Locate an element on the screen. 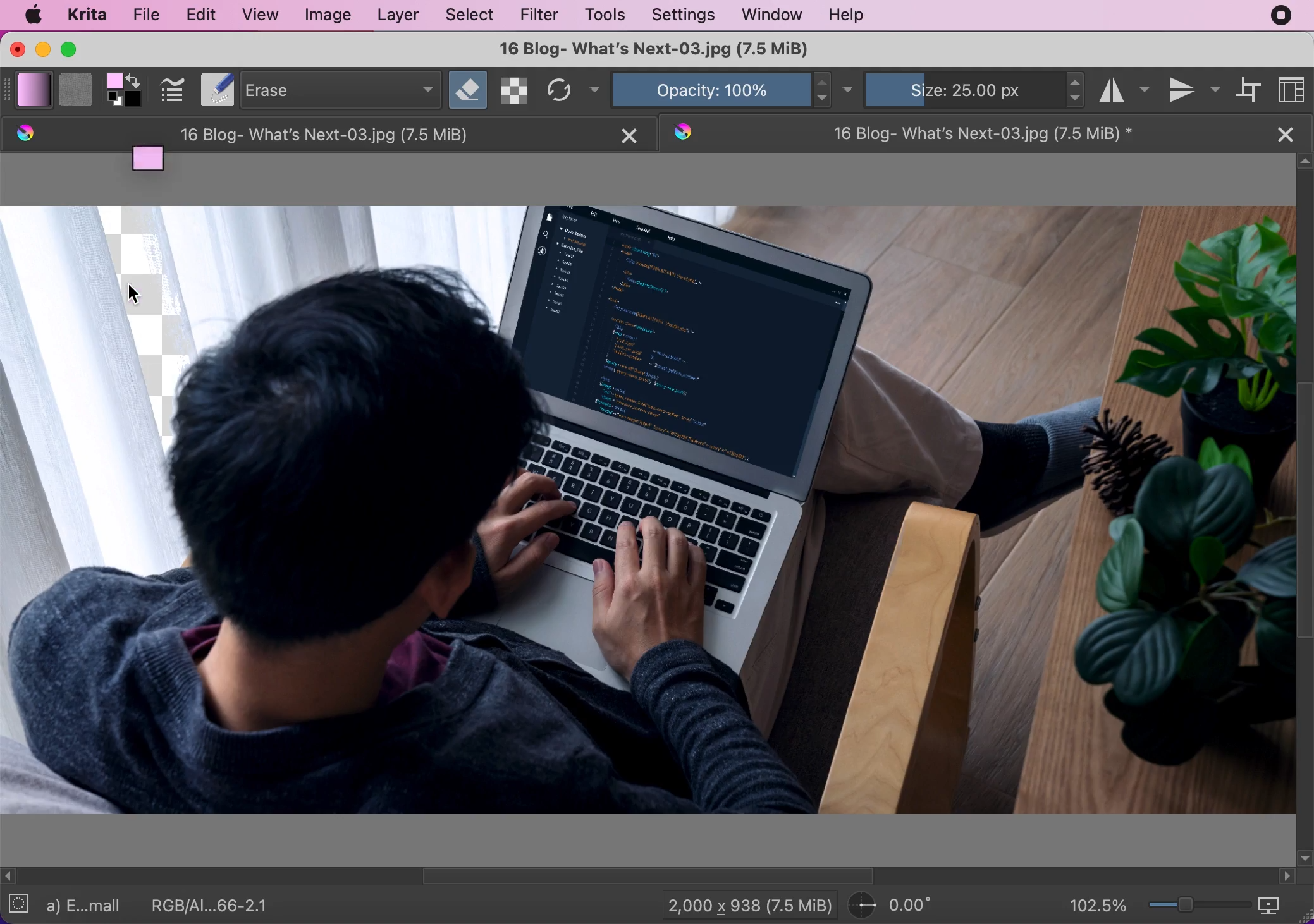  no selection is located at coordinates (20, 903).